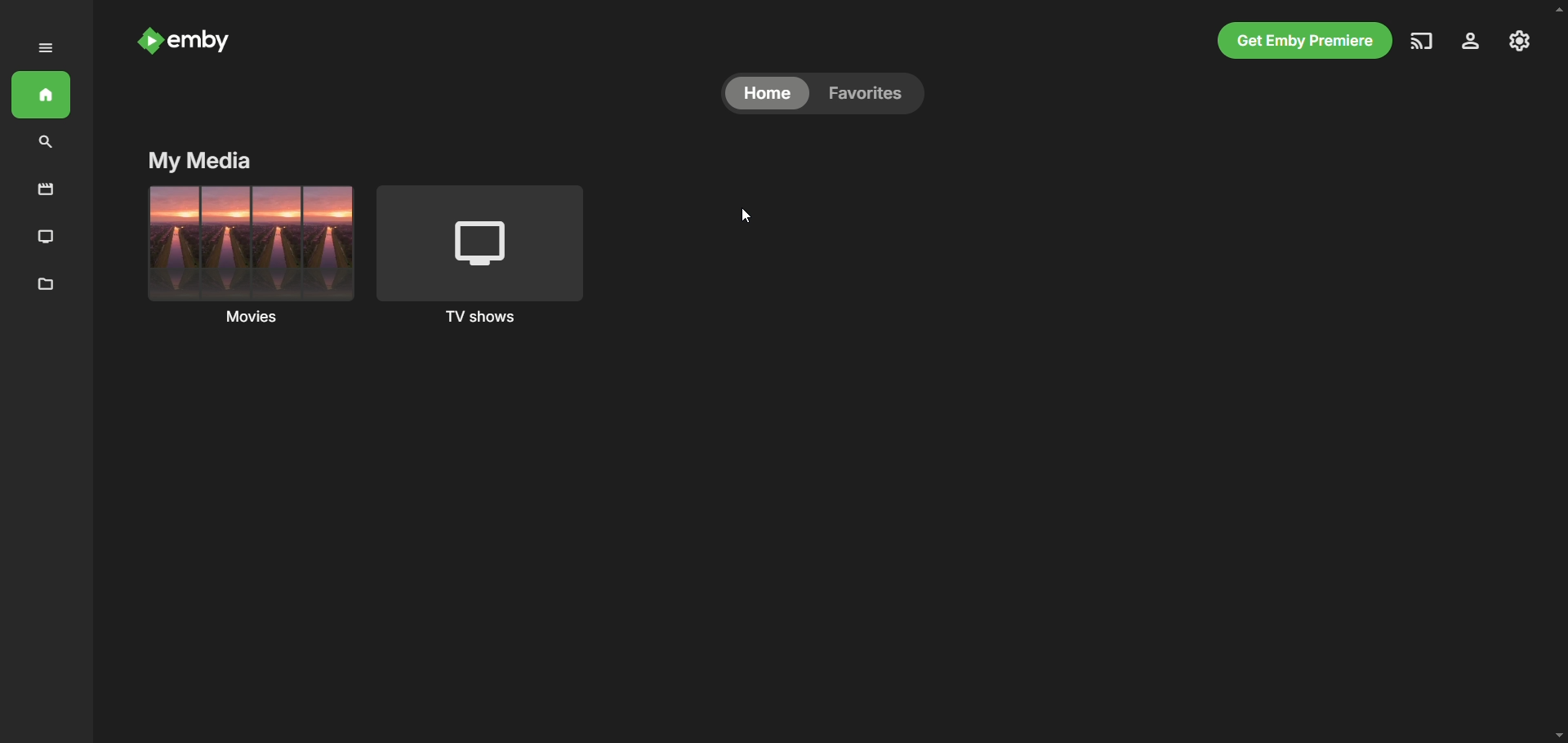 The width and height of the screenshot is (1568, 743). Describe the element at coordinates (47, 48) in the screenshot. I see `expand` at that location.